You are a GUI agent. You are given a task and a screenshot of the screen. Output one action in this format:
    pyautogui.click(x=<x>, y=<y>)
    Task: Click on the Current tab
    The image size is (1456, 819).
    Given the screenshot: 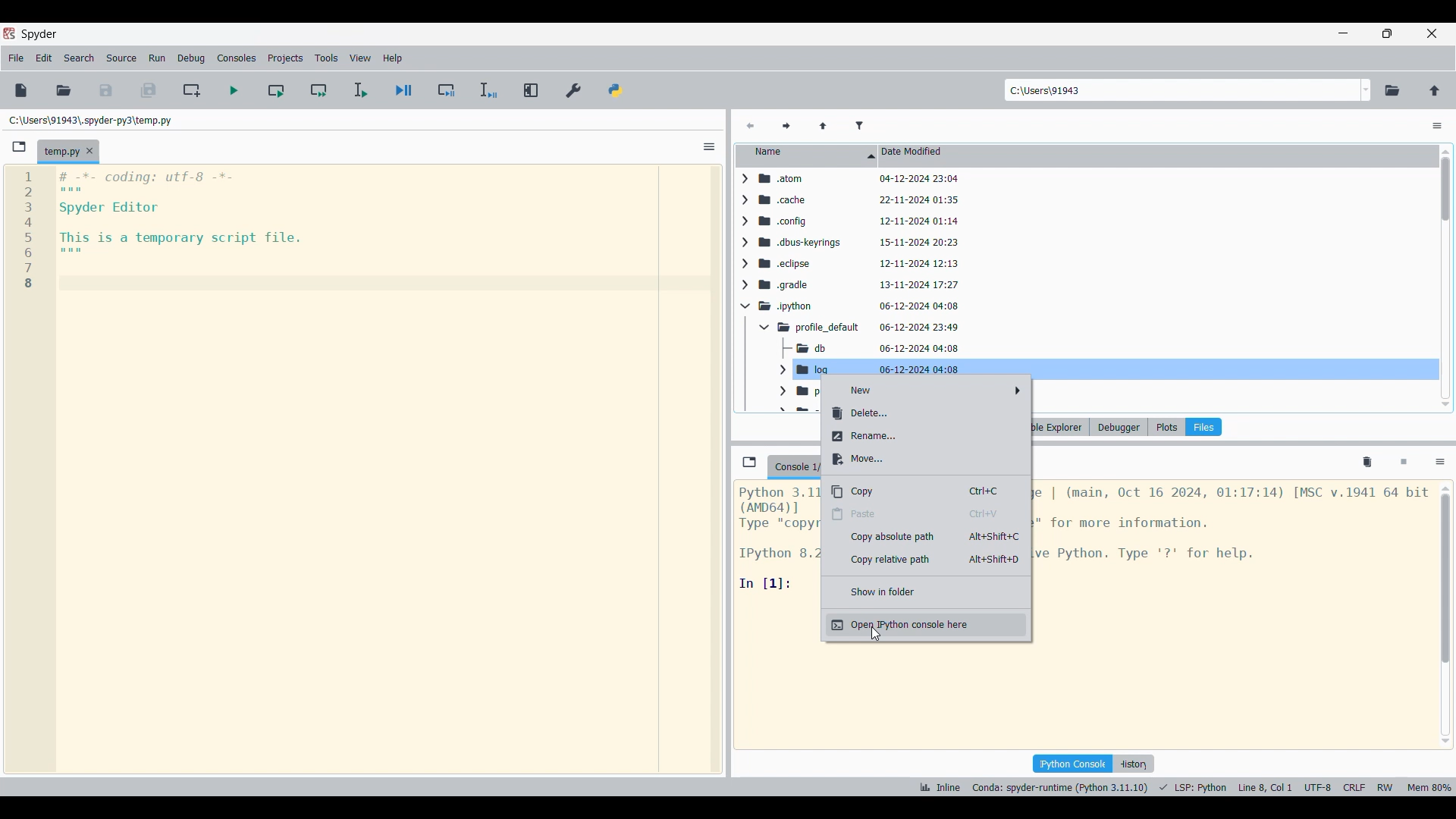 What is the action you would take?
    pyautogui.click(x=60, y=152)
    